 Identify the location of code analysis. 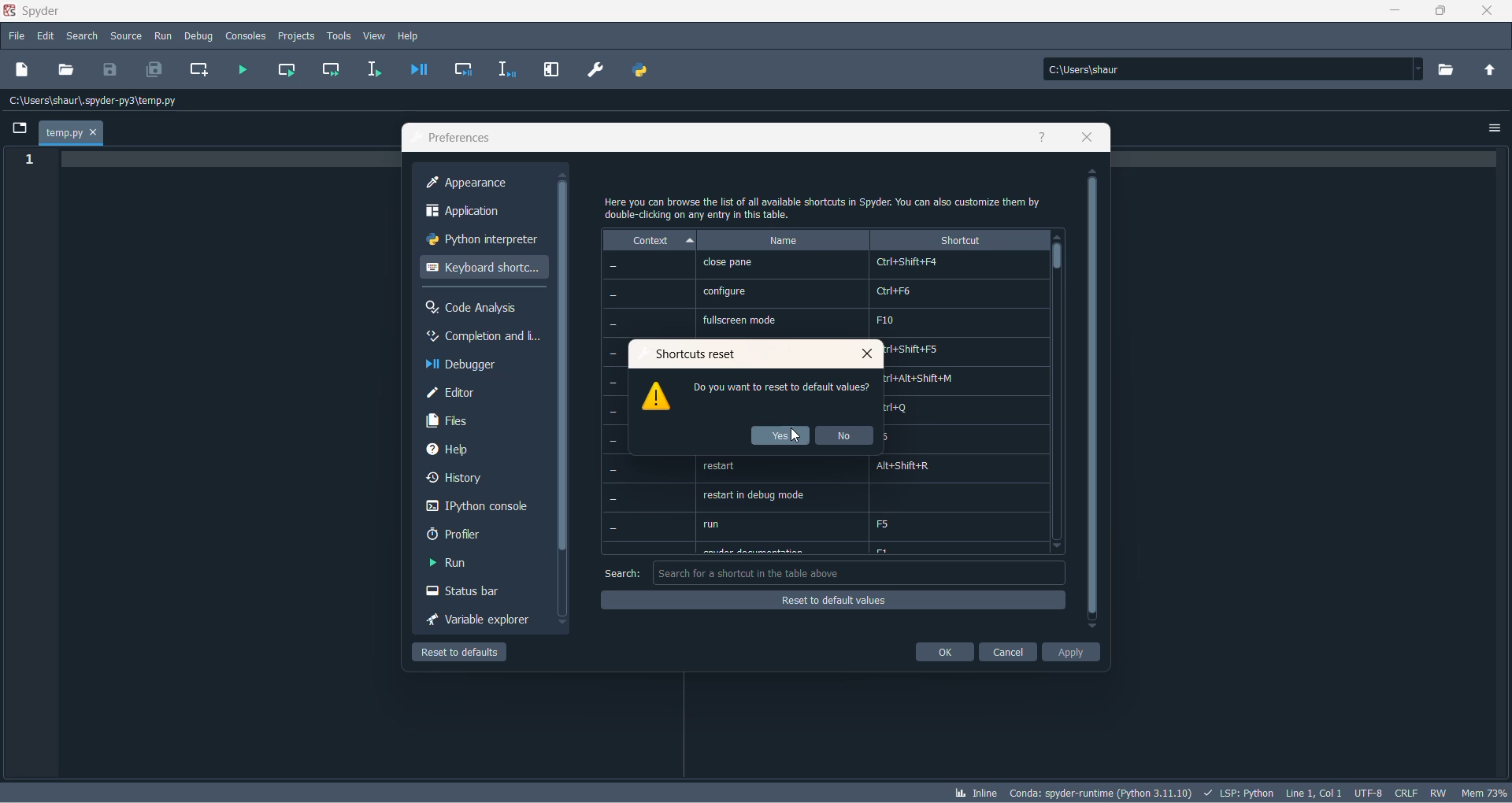
(479, 309).